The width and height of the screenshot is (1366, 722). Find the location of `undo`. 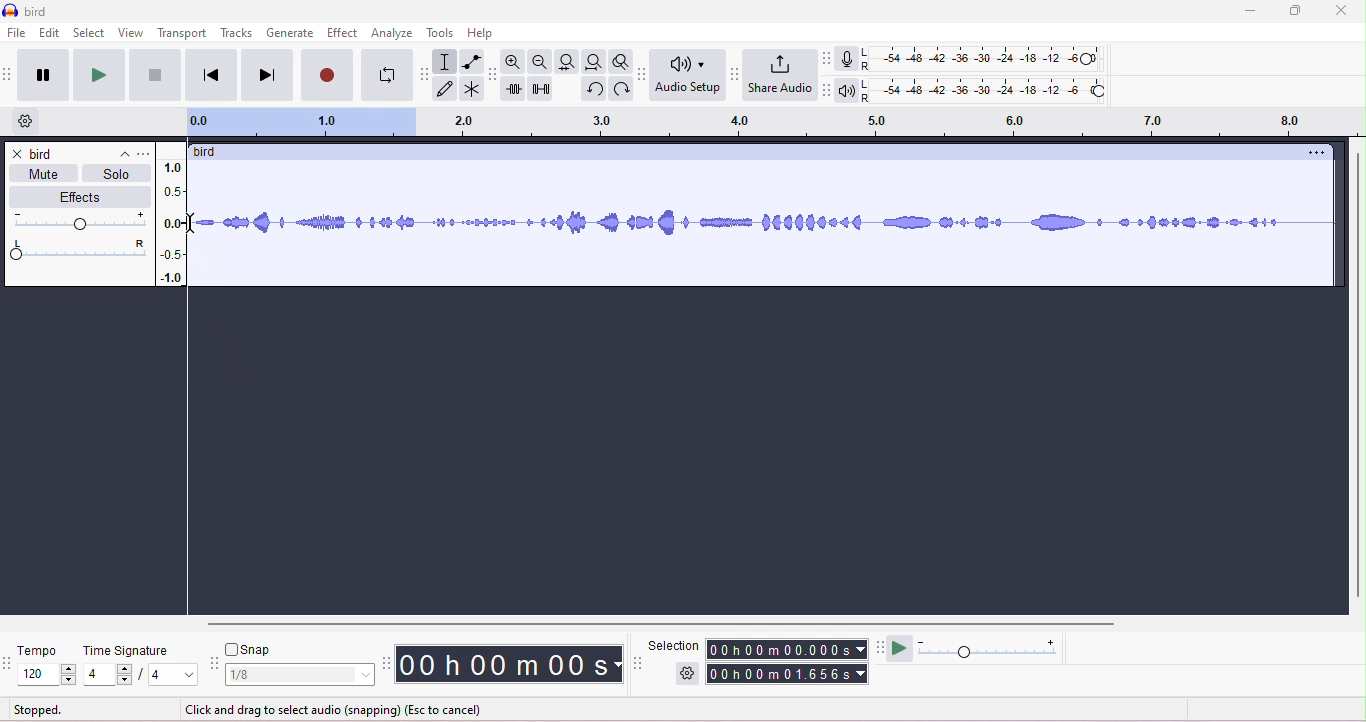

undo is located at coordinates (595, 89).